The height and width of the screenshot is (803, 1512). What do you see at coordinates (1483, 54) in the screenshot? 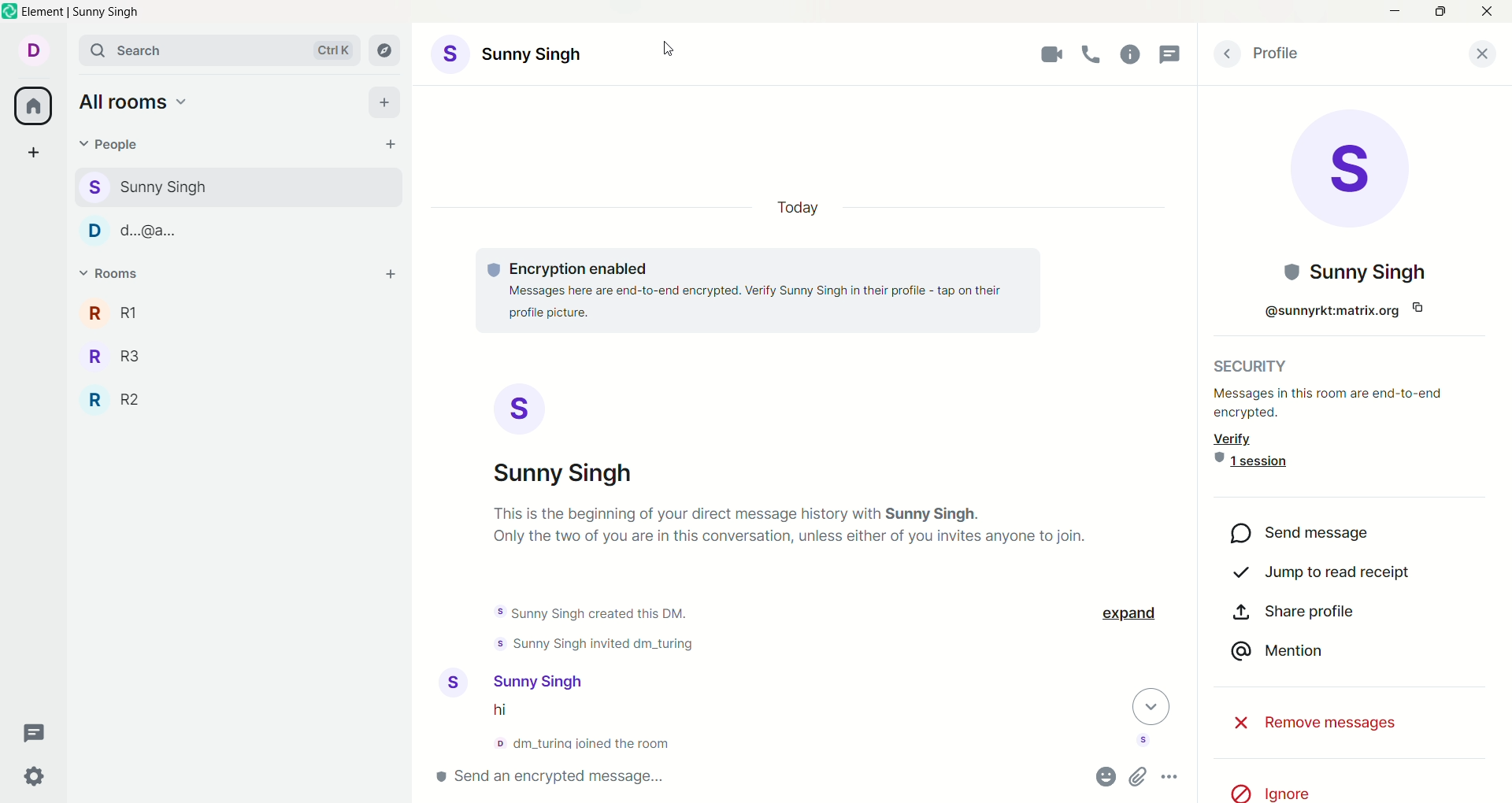
I see `Close` at bounding box center [1483, 54].